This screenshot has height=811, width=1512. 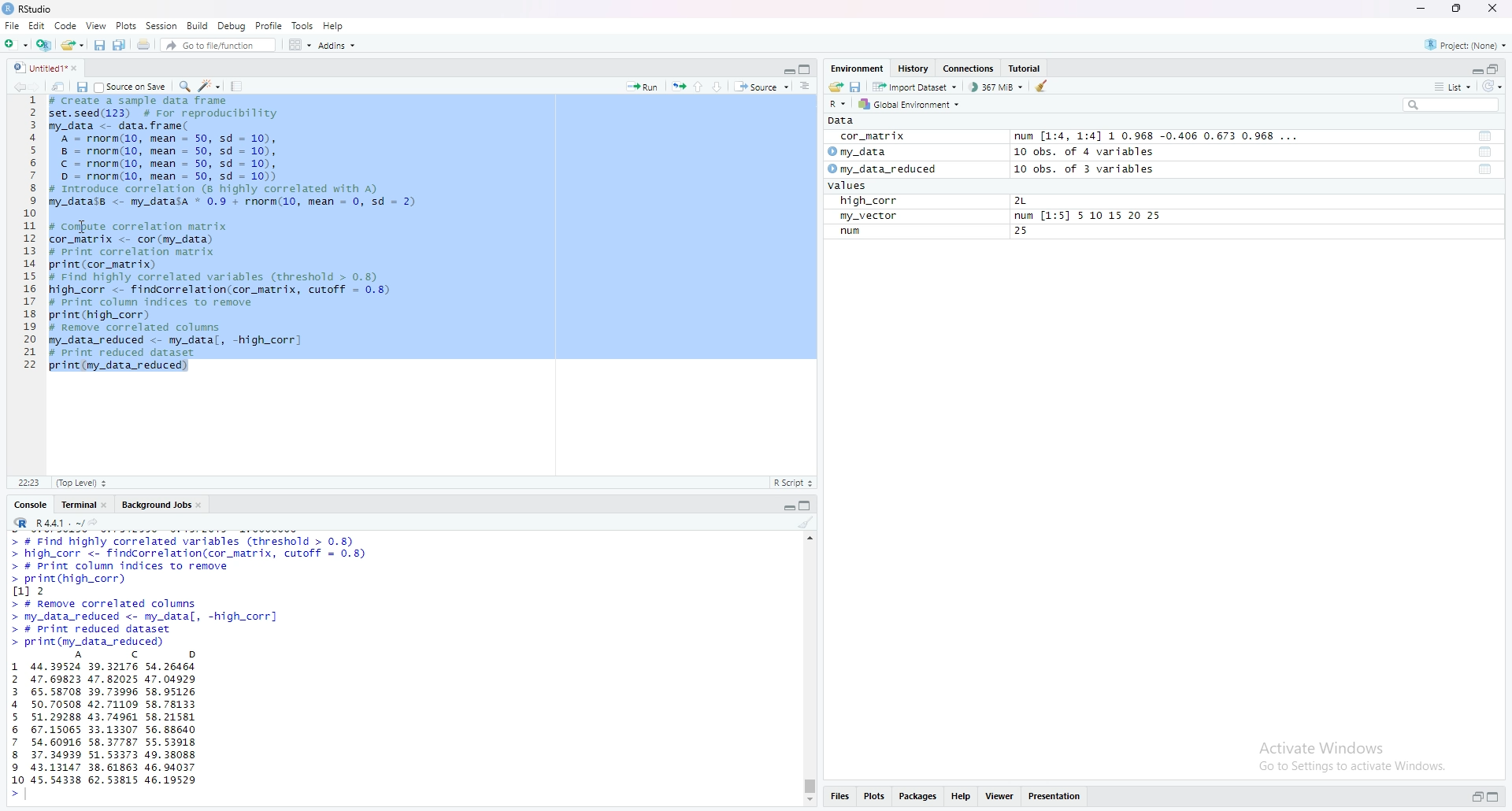 I want to click on R, so click(x=21, y=523).